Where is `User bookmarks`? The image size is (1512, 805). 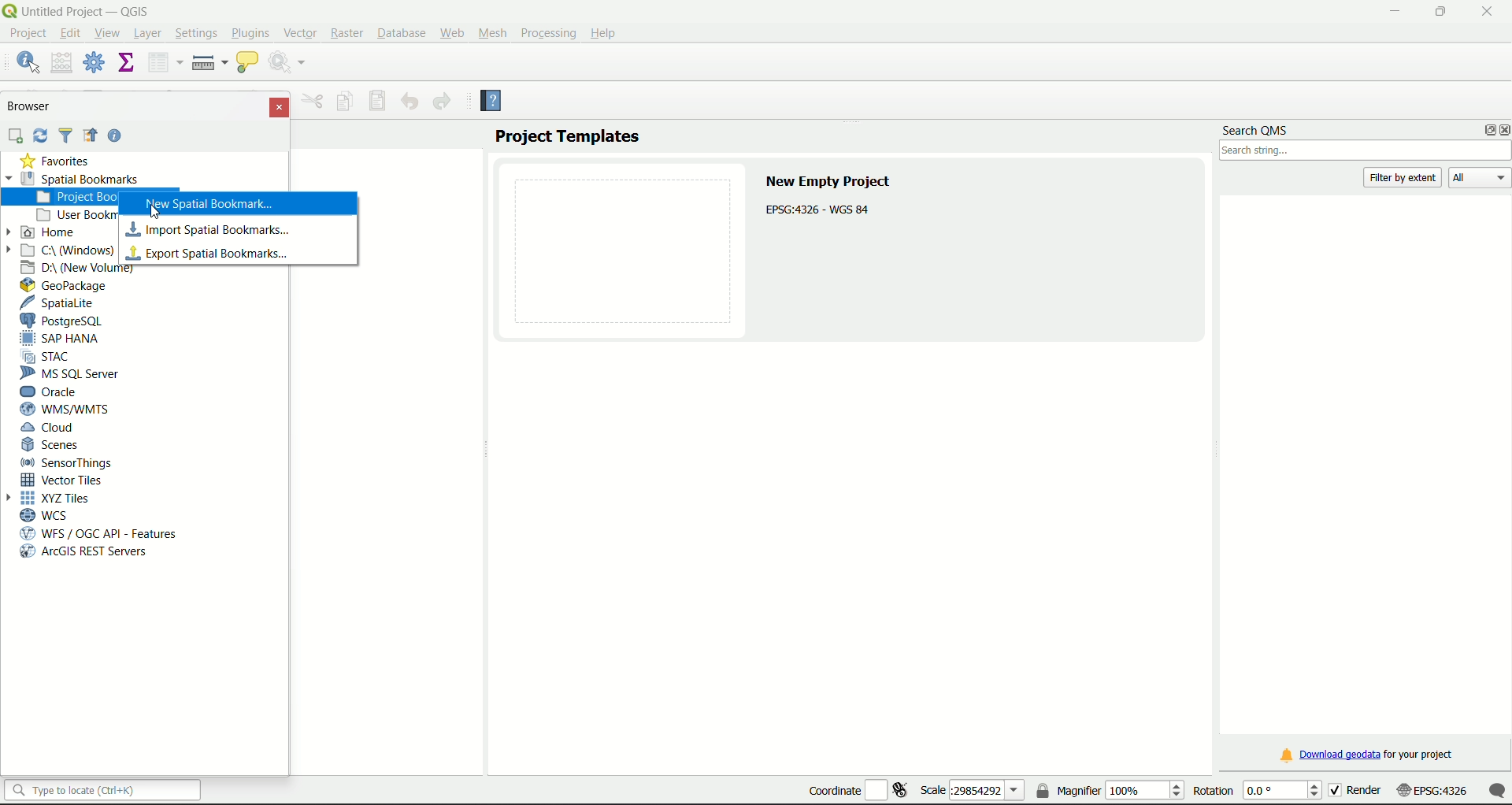 User bookmarks is located at coordinates (75, 215).